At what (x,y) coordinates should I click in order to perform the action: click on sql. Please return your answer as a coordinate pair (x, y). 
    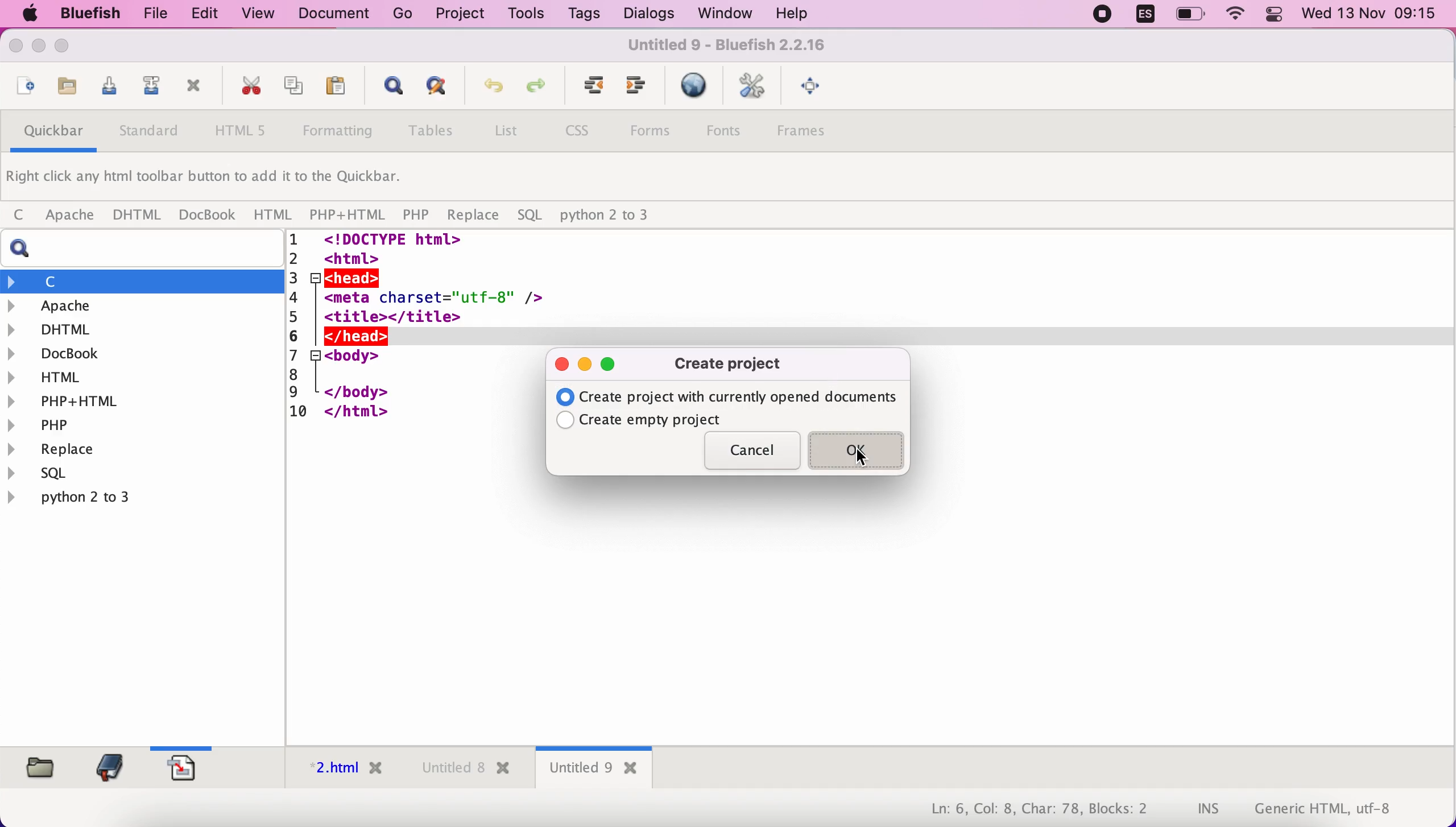
    Looking at the image, I should click on (531, 217).